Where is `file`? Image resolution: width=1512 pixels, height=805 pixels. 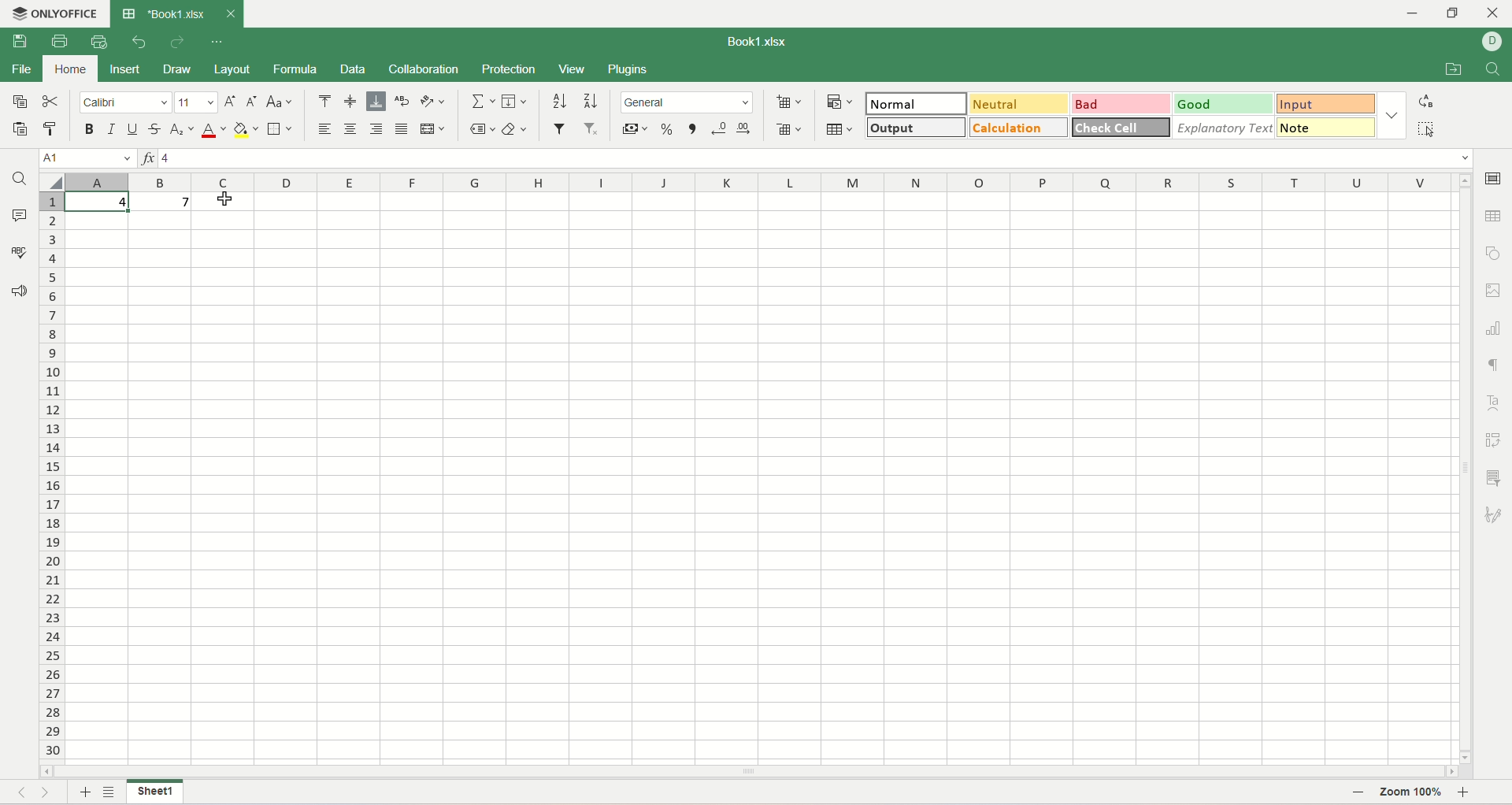
file is located at coordinates (20, 69).